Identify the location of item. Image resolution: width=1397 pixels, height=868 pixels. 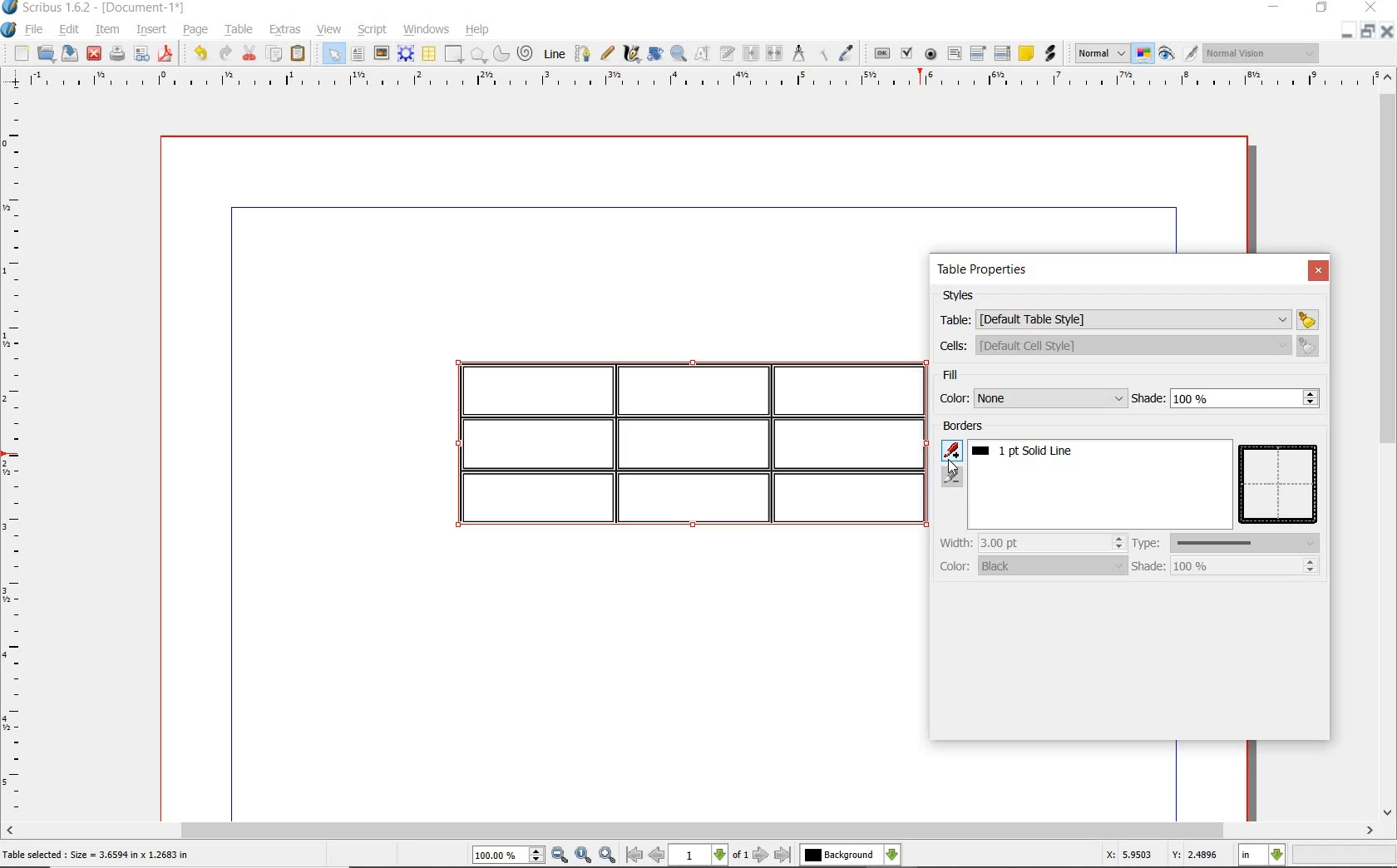
(106, 31).